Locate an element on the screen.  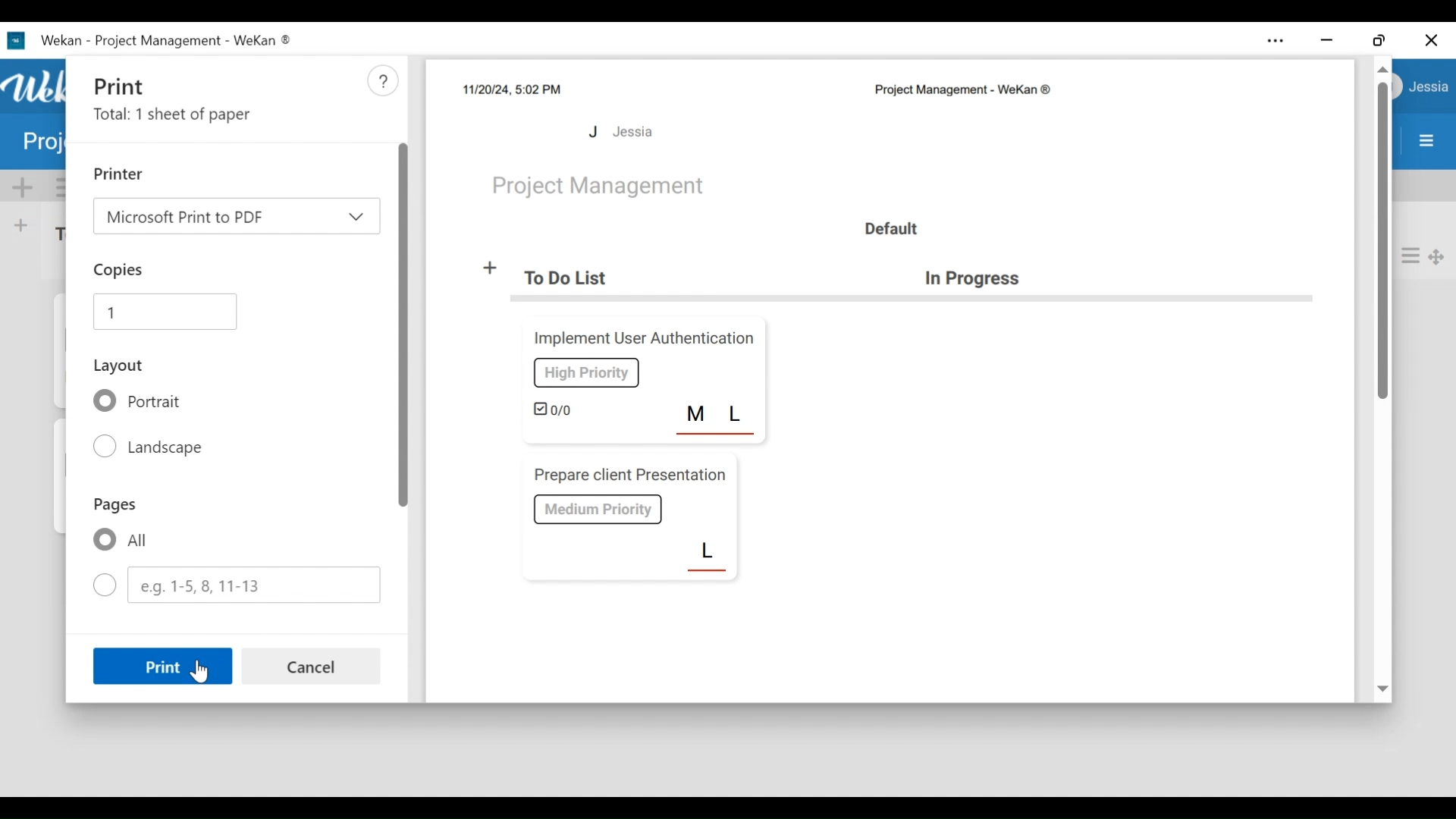
Close is located at coordinates (1430, 40).